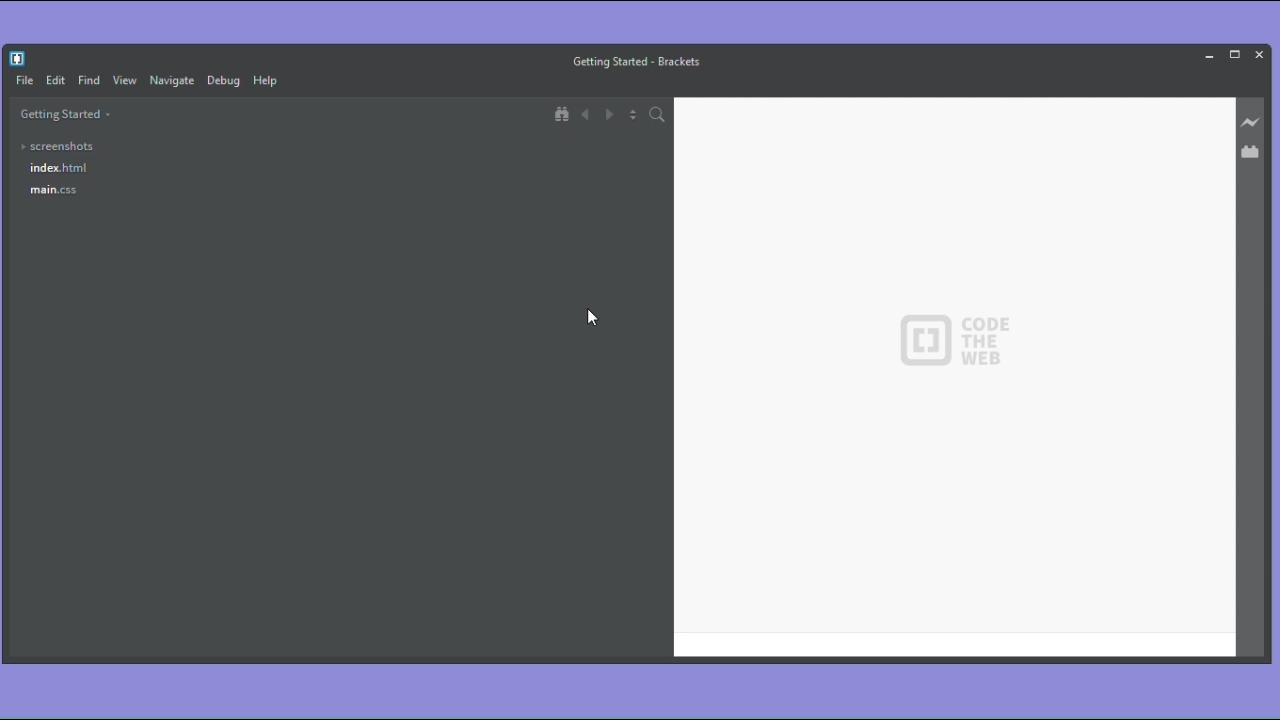 The height and width of the screenshot is (720, 1280). Describe the element at coordinates (660, 116) in the screenshot. I see `search` at that location.